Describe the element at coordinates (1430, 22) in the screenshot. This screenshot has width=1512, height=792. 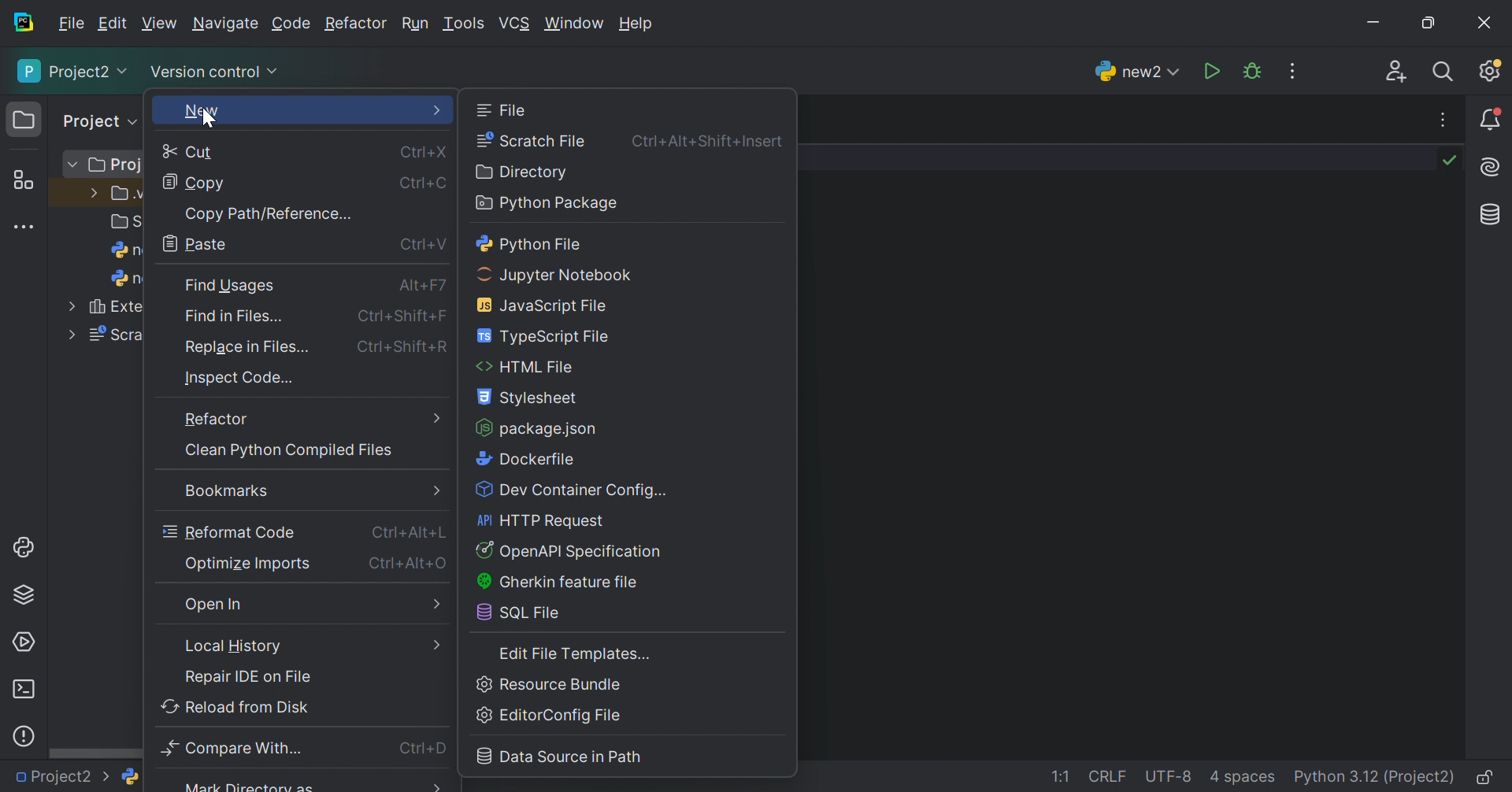
I see `Restore down` at that location.